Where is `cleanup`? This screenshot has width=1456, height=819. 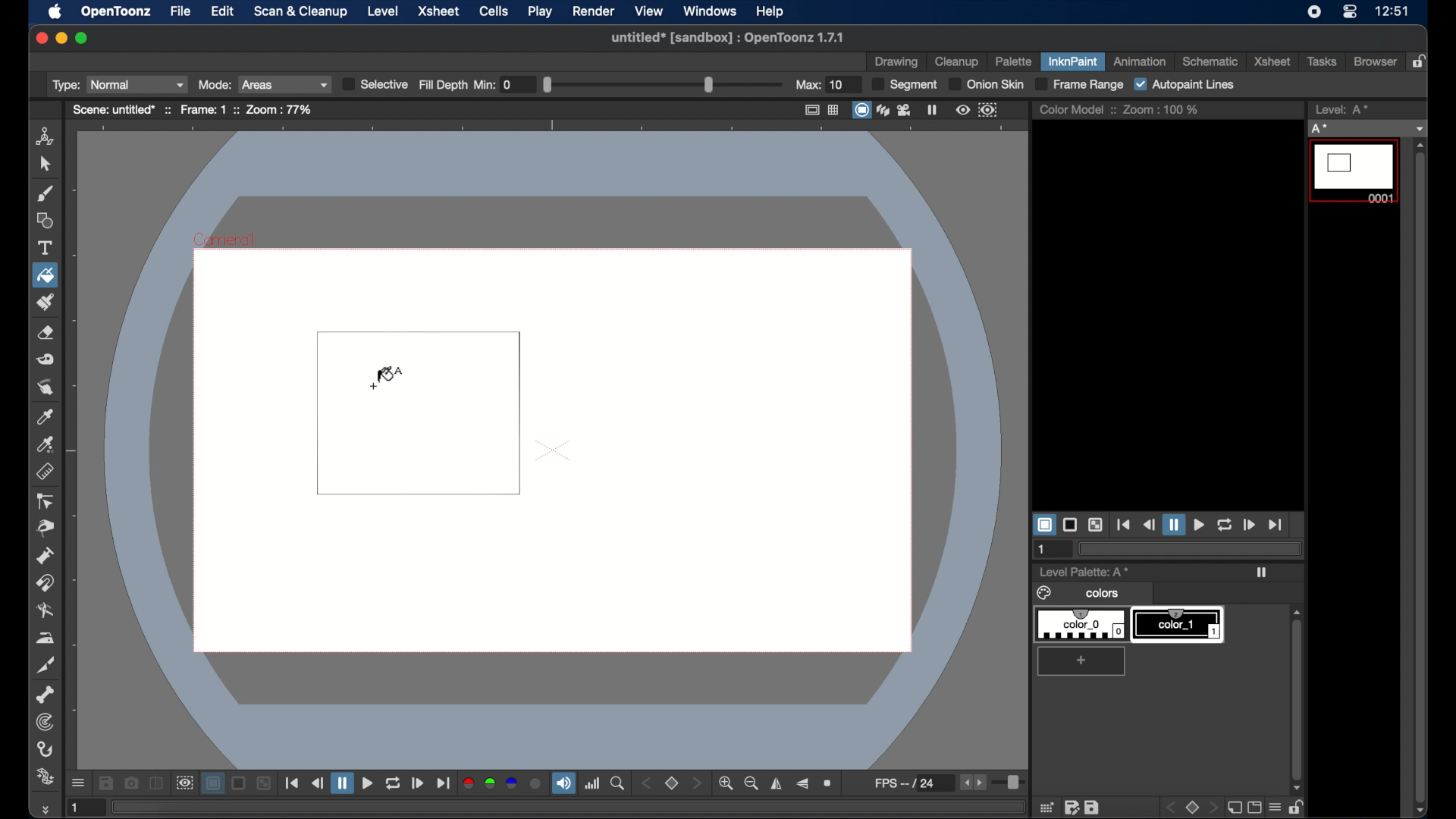
cleanup is located at coordinates (959, 61).